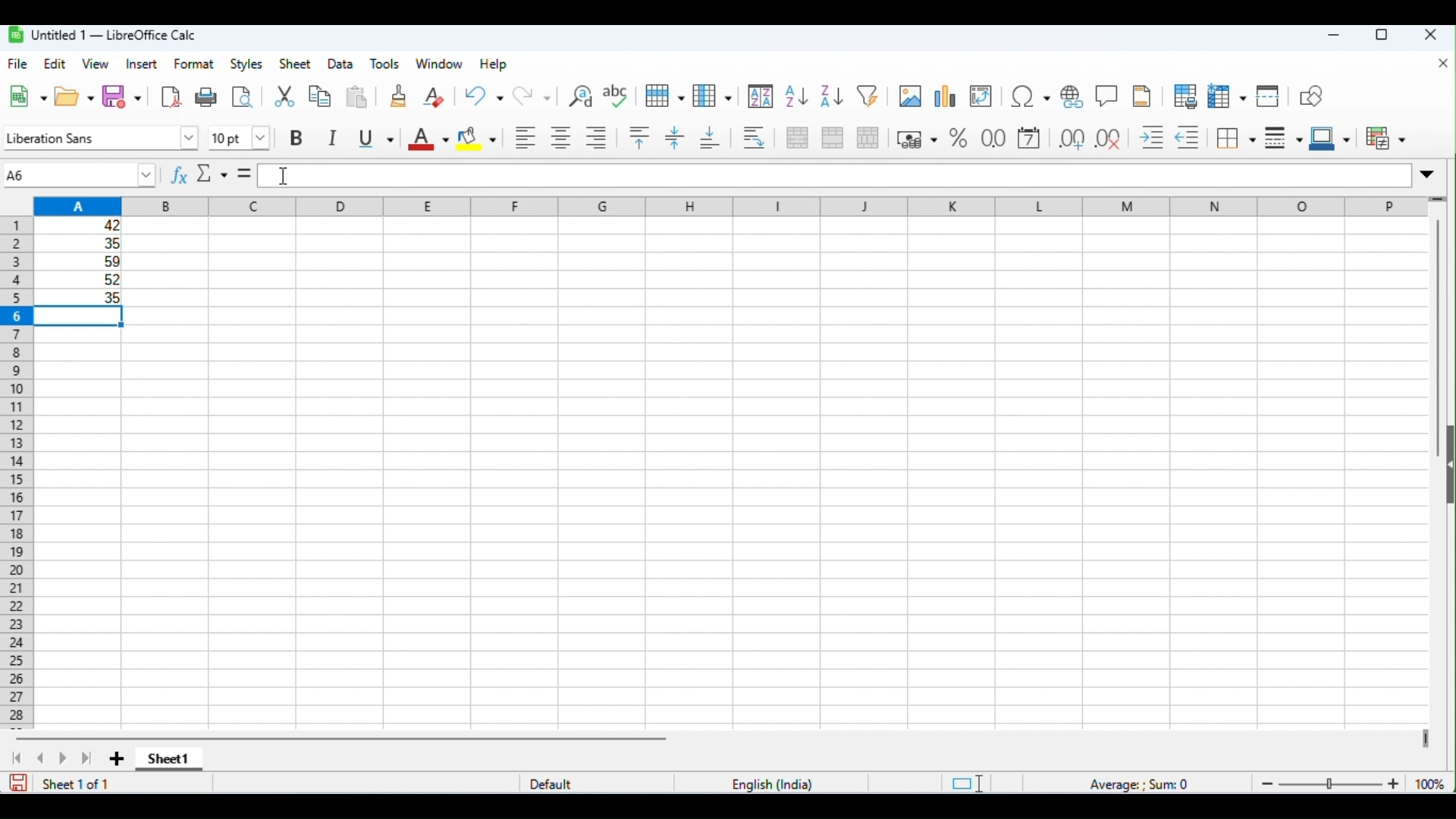  Describe the element at coordinates (1183, 96) in the screenshot. I see `toggle print preview` at that location.